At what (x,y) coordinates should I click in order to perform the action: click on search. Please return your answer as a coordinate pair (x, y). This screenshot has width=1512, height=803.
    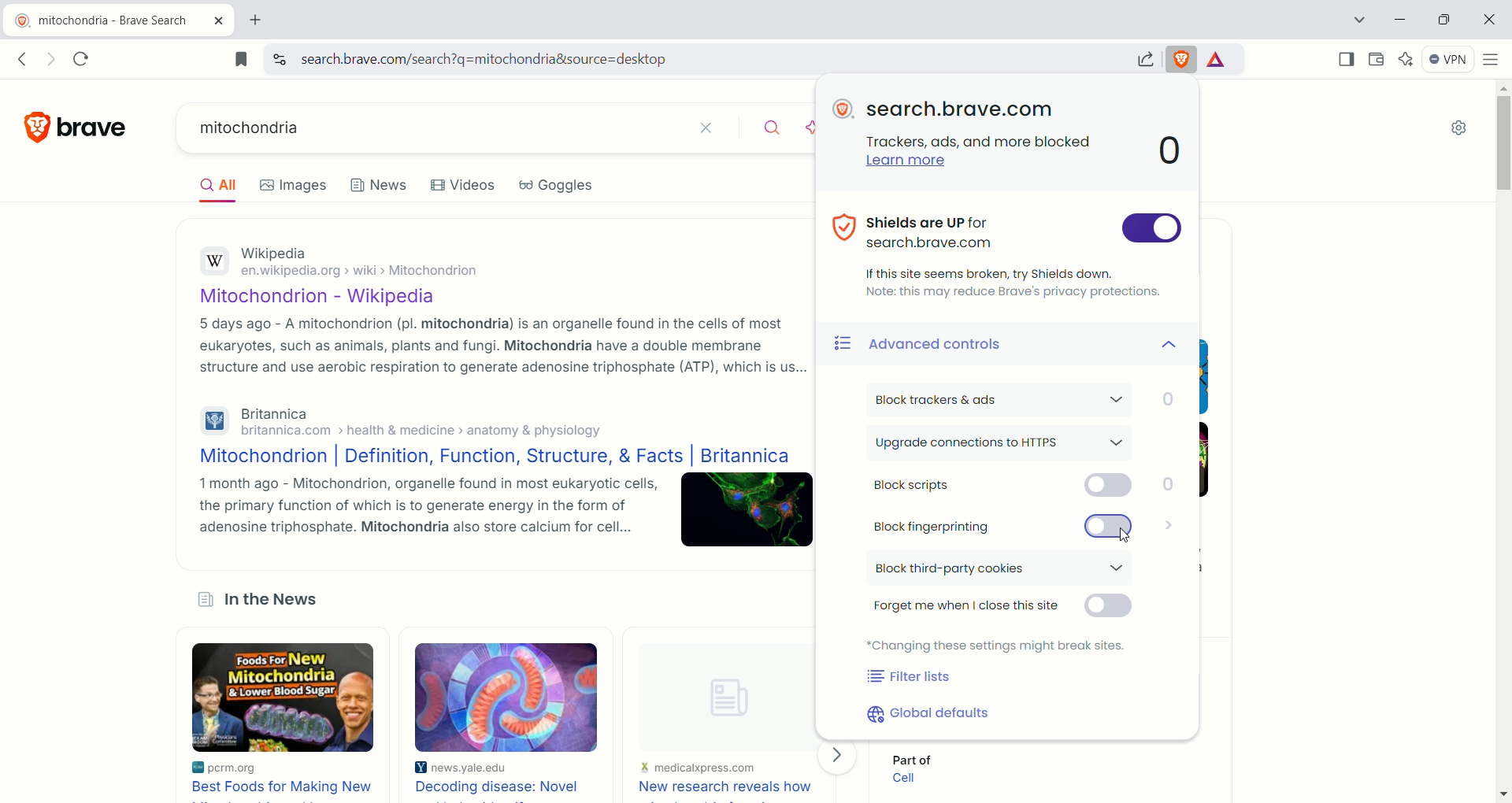
    Looking at the image, I should click on (764, 126).